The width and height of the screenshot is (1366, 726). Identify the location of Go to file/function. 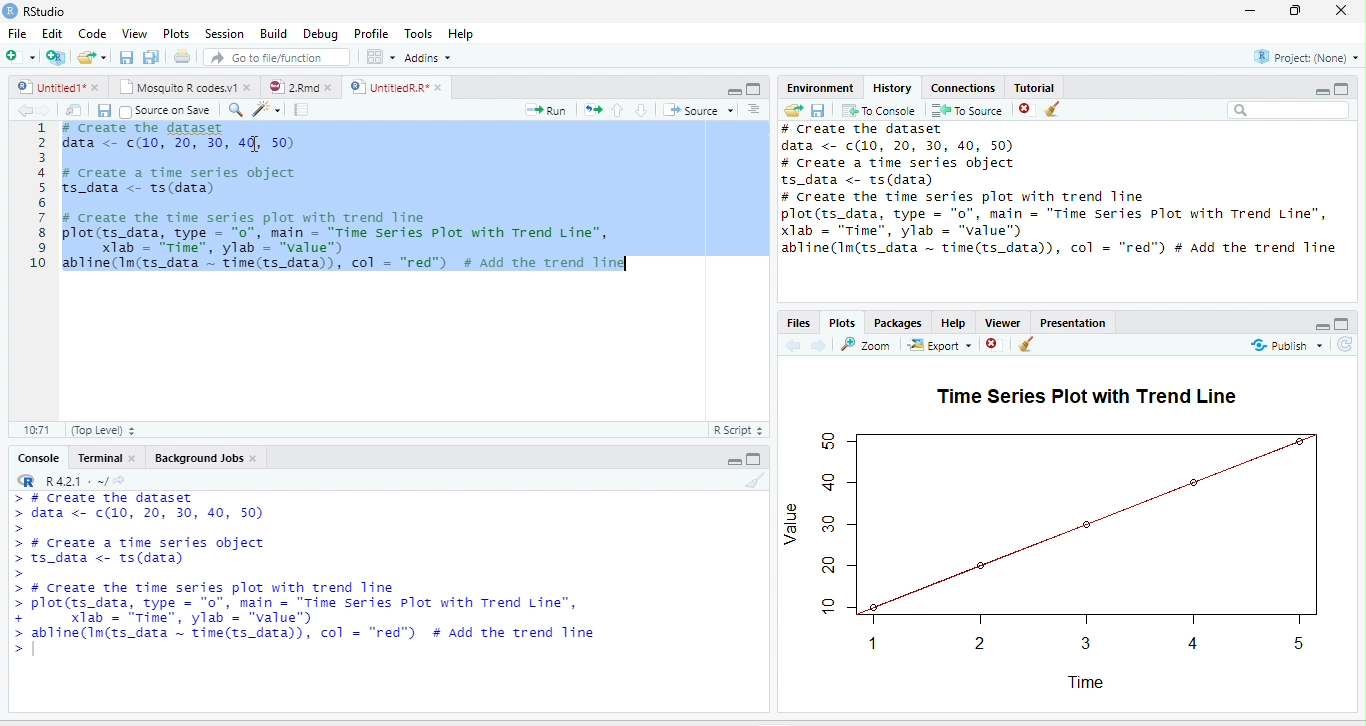
(277, 57).